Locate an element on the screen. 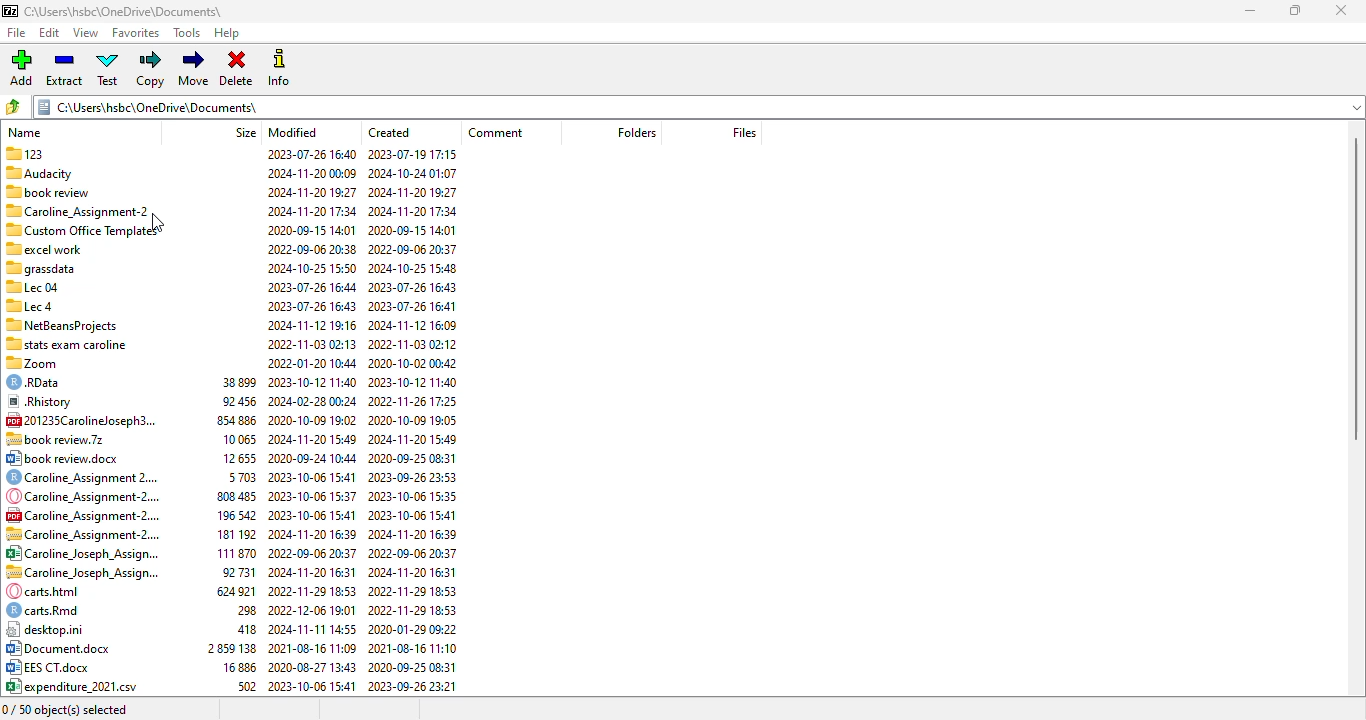 The image size is (1366, 720). RData is located at coordinates (38, 383).